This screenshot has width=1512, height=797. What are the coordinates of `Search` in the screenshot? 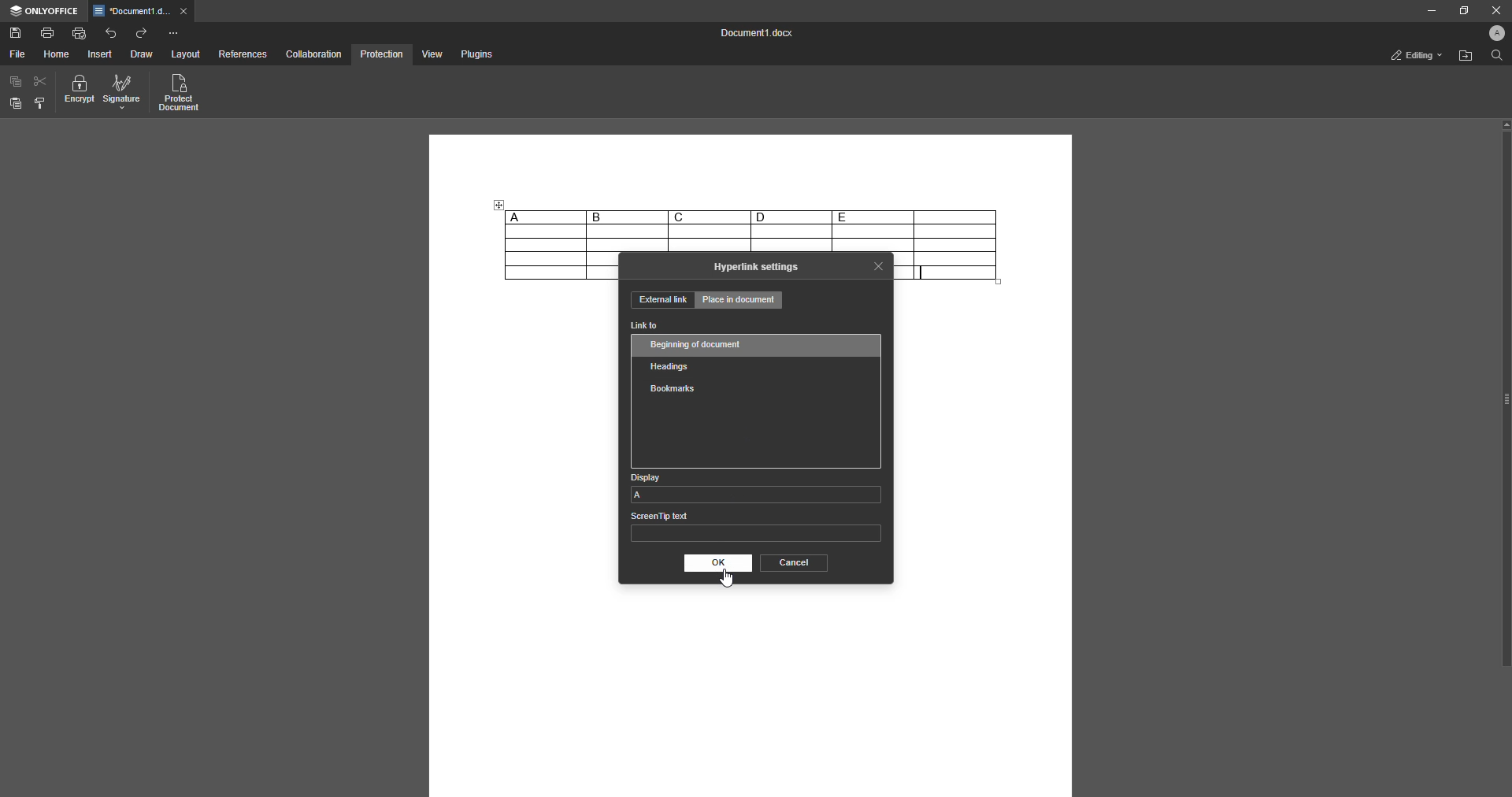 It's located at (1495, 57).